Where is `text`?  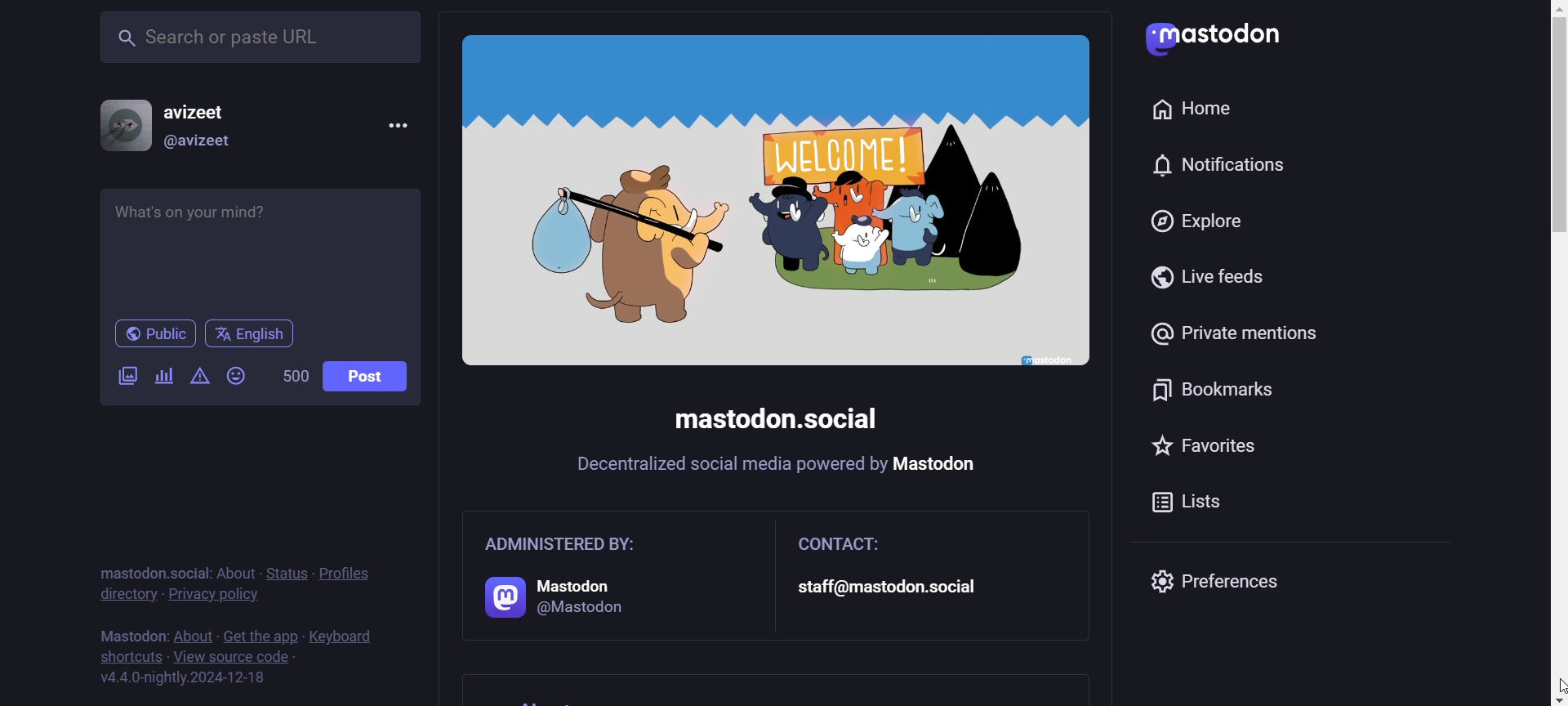
text is located at coordinates (777, 690).